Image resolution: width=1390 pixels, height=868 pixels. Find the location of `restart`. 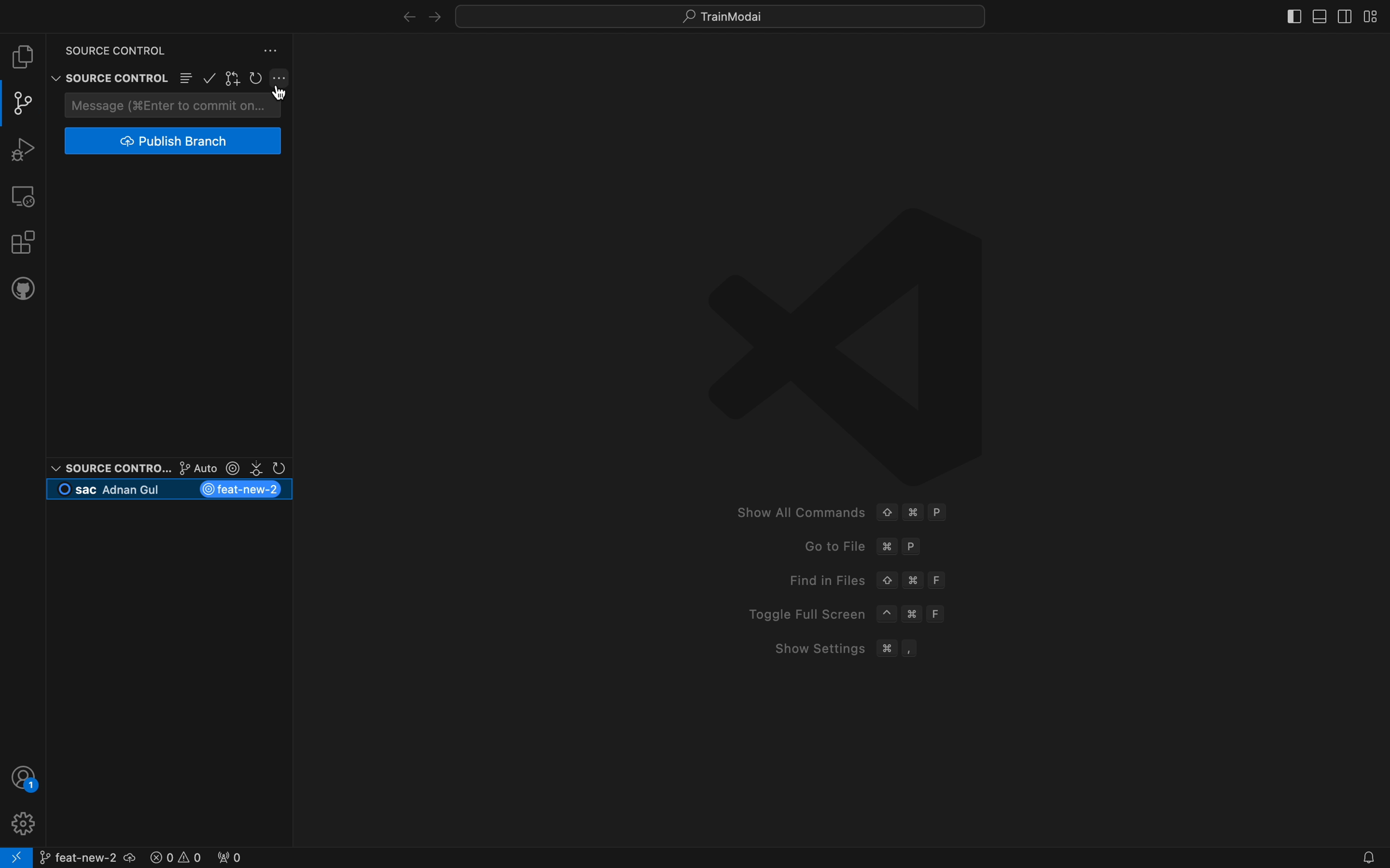

restart is located at coordinates (257, 79).